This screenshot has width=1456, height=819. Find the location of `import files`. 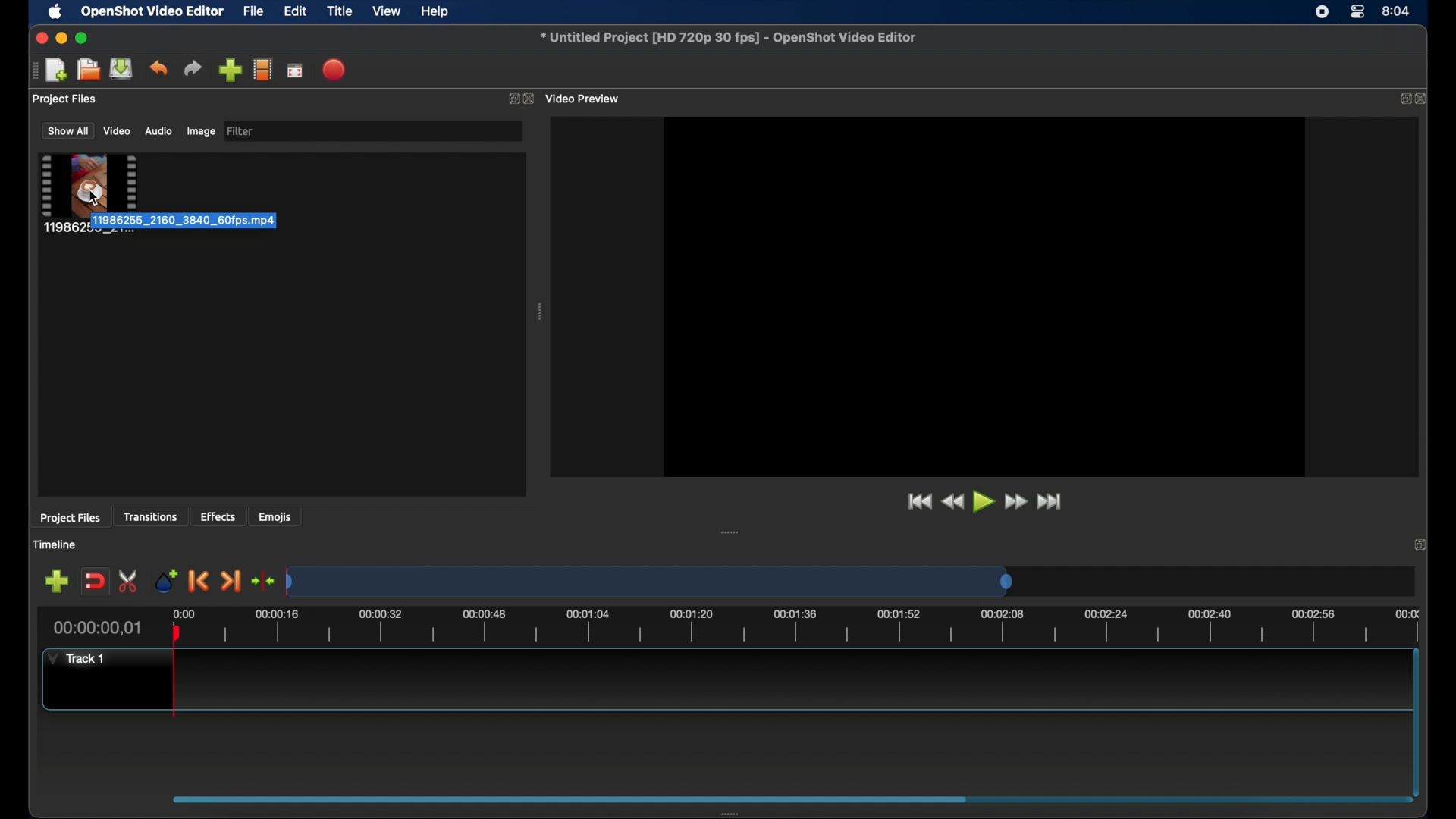

import files is located at coordinates (229, 71).